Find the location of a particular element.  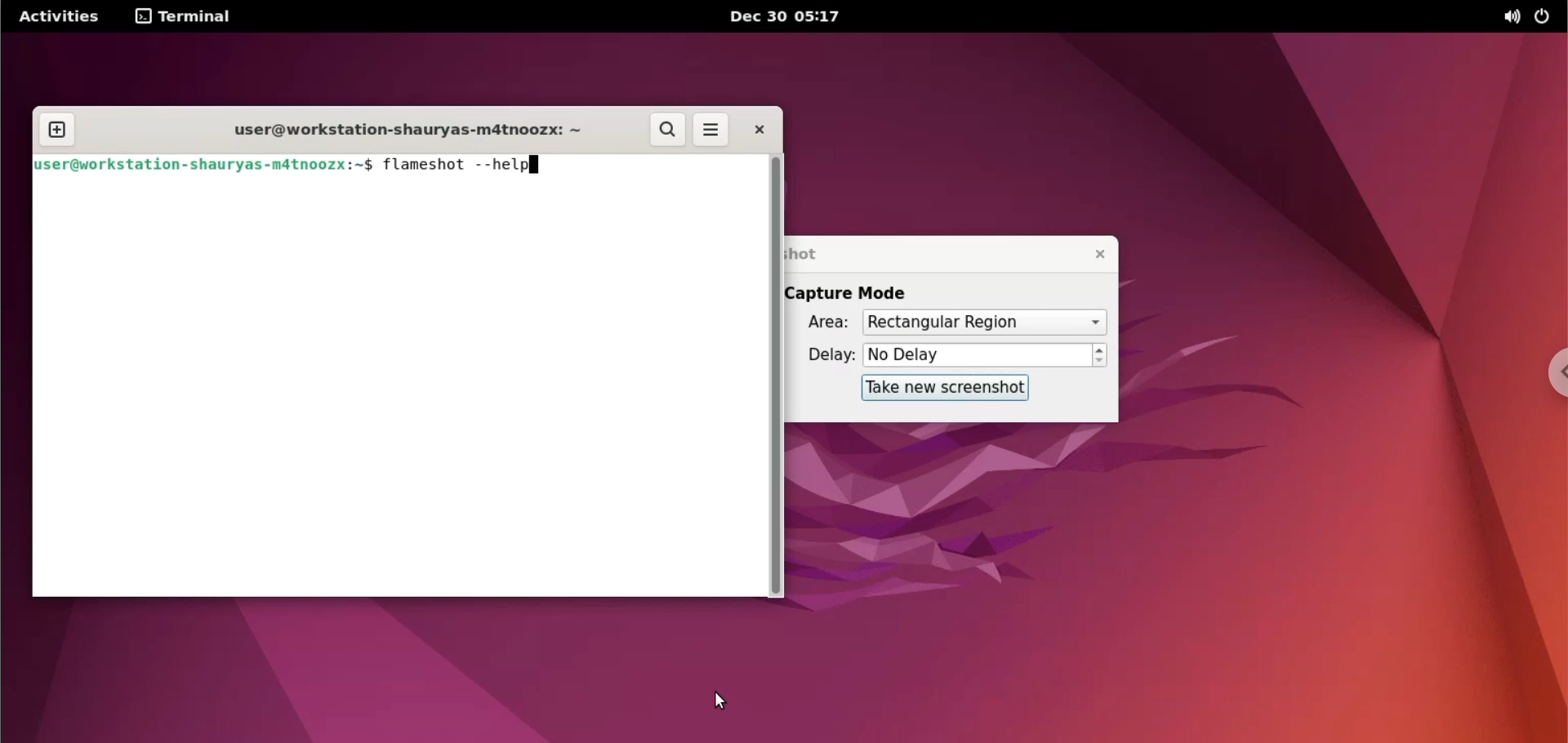

capture mode label is located at coordinates (861, 293).